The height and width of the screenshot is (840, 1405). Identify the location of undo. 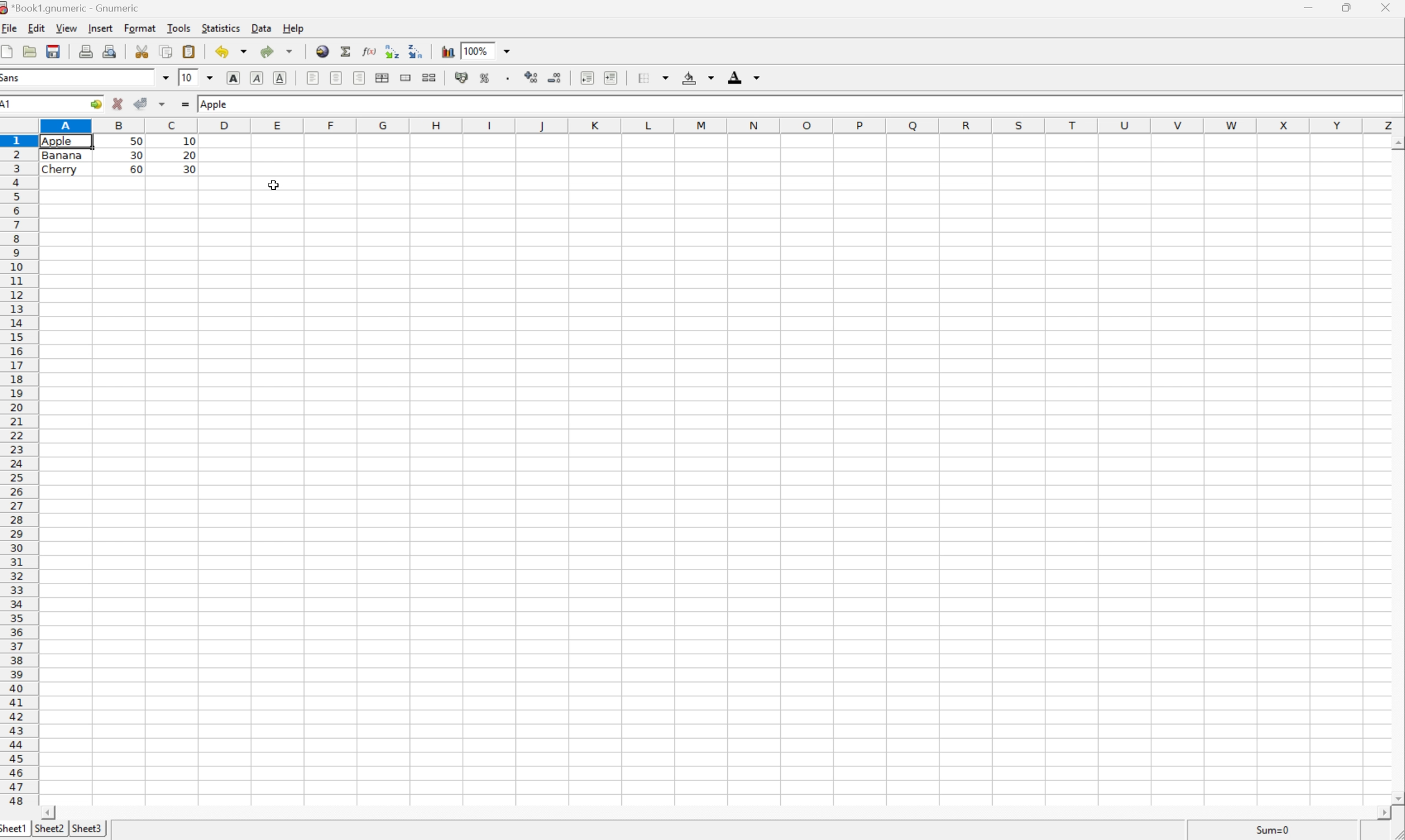
(232, 50).